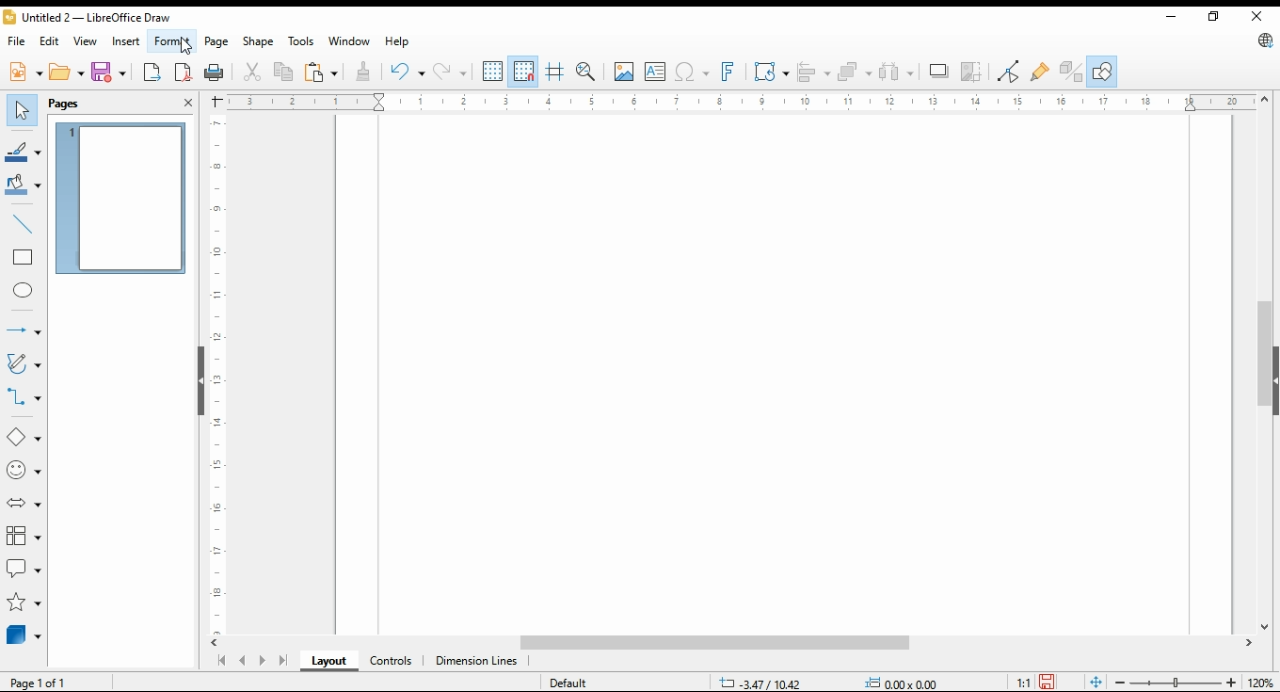  What do you see at coordinates (1071, 72) in the screenshot?
I see `toggle extrusions` at bounding box center [1071, 72].